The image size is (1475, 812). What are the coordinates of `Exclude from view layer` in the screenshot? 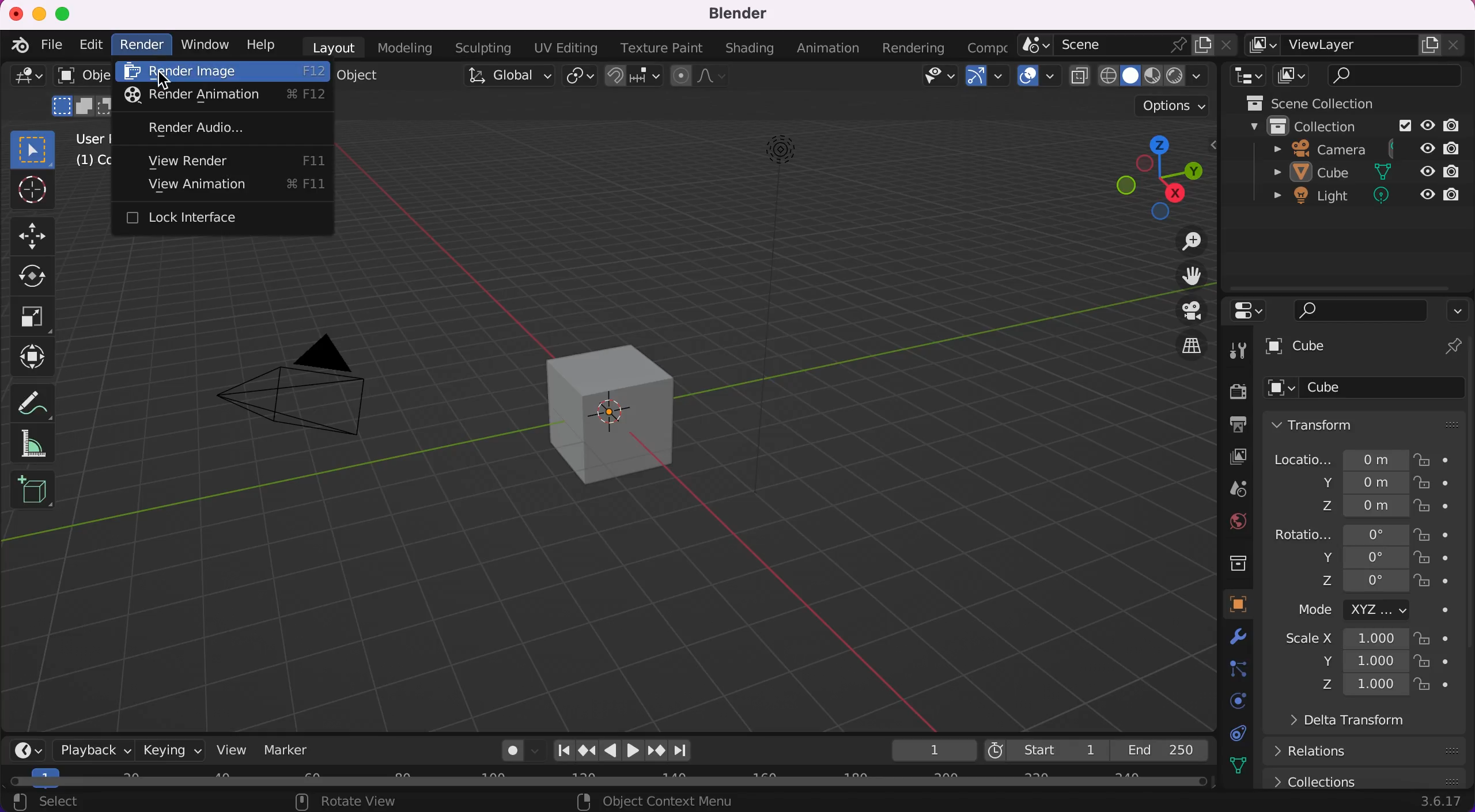 It's located at (1404, 127).